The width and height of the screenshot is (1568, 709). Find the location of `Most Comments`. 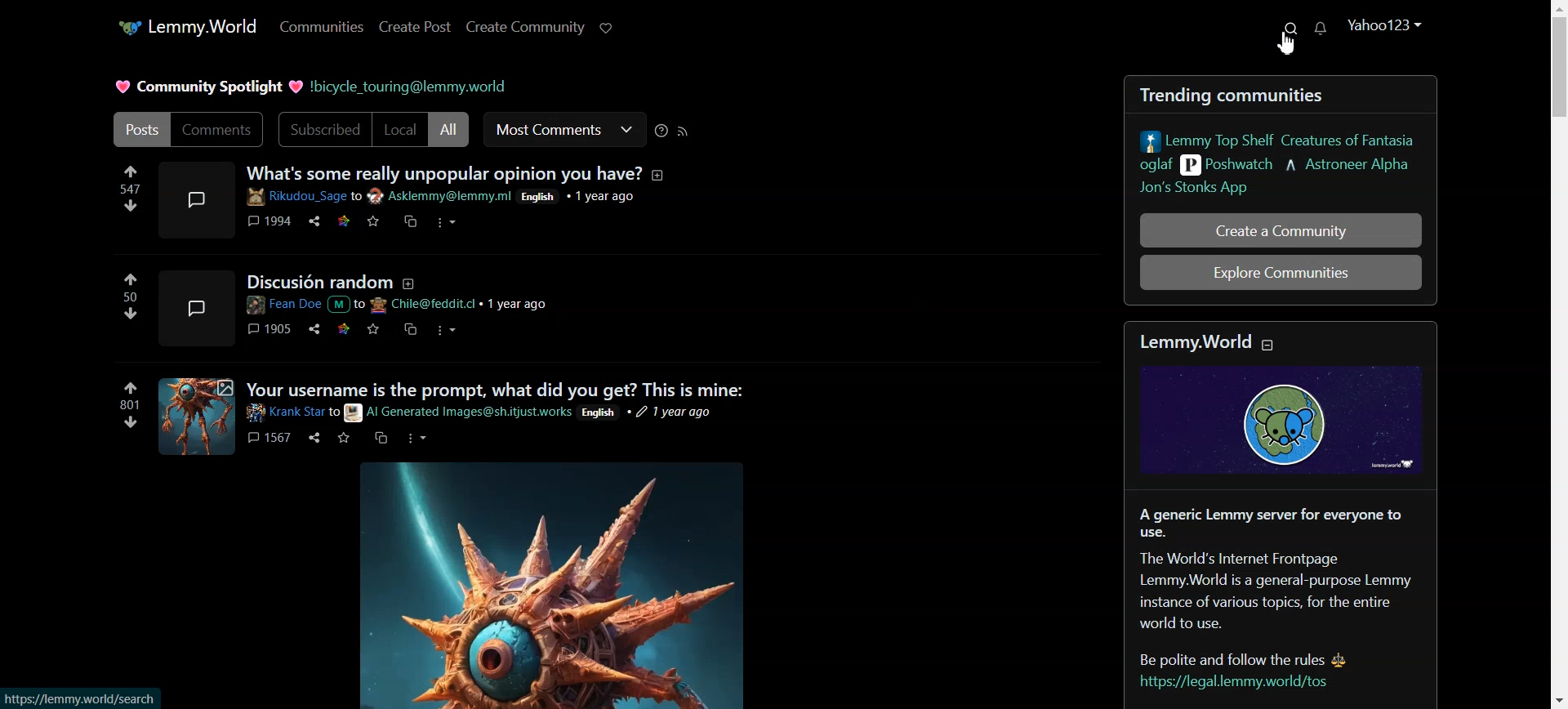

Most Comments is located at coordinates (563, 129).